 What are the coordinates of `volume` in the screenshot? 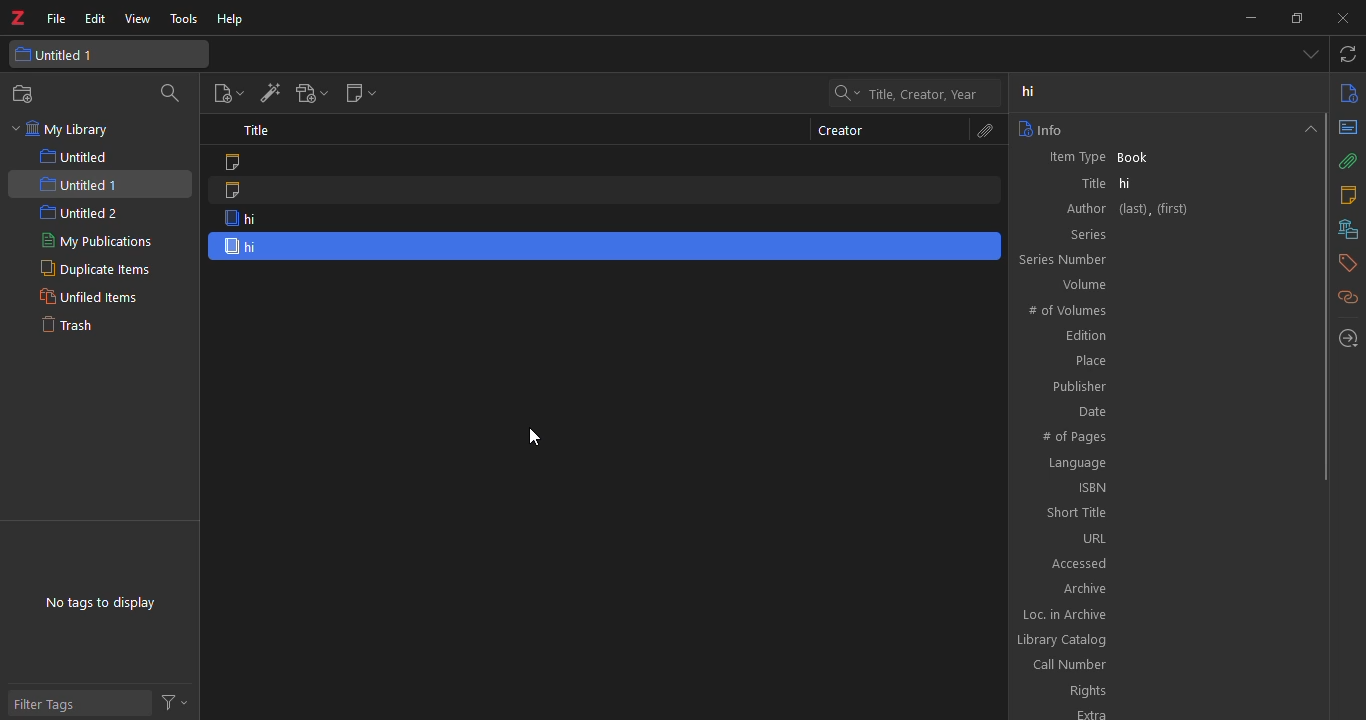 It's located at (1089, 286).